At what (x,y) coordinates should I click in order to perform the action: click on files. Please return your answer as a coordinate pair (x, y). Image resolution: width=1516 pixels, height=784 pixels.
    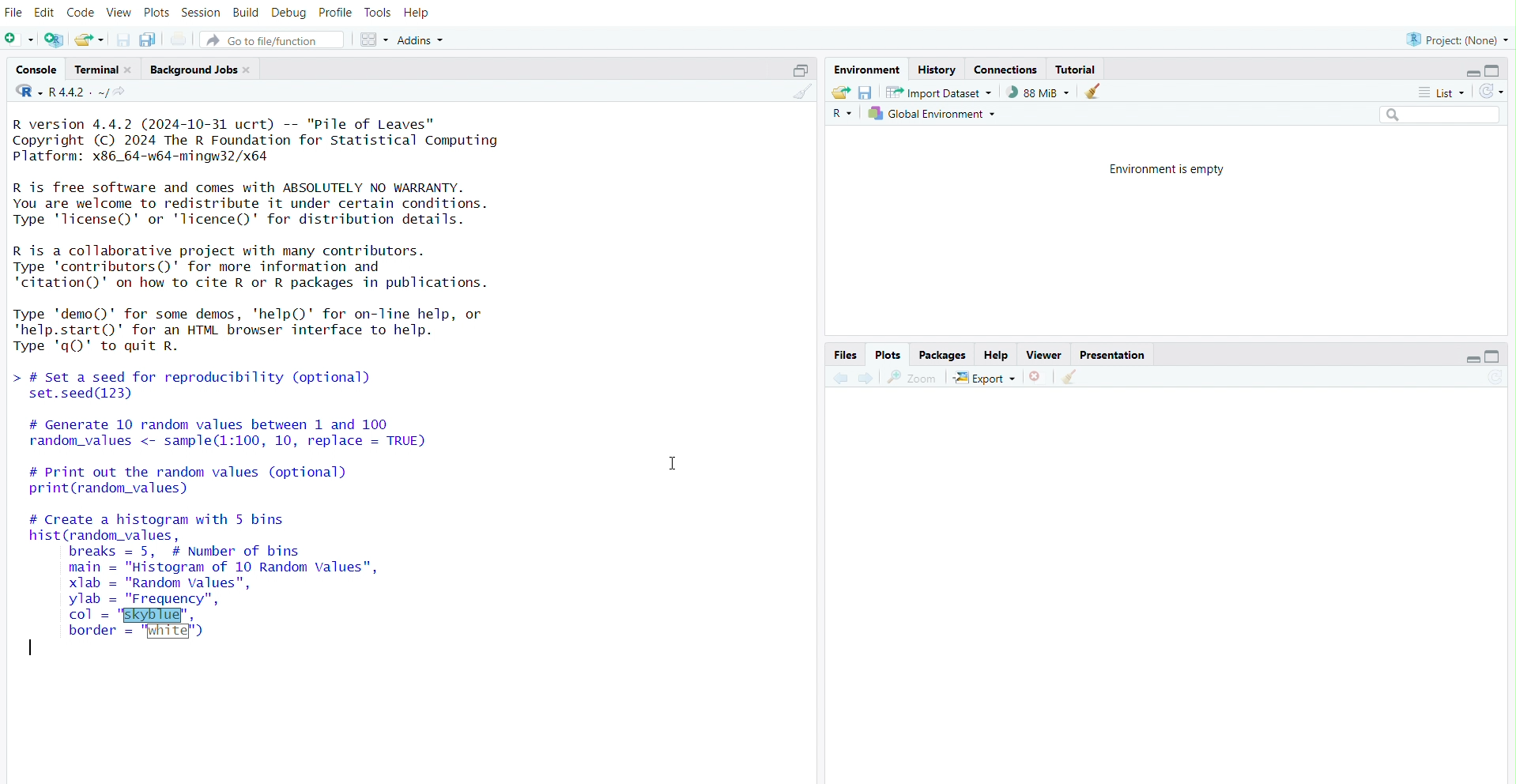
    Looking at the image, I should click on (846, 356).